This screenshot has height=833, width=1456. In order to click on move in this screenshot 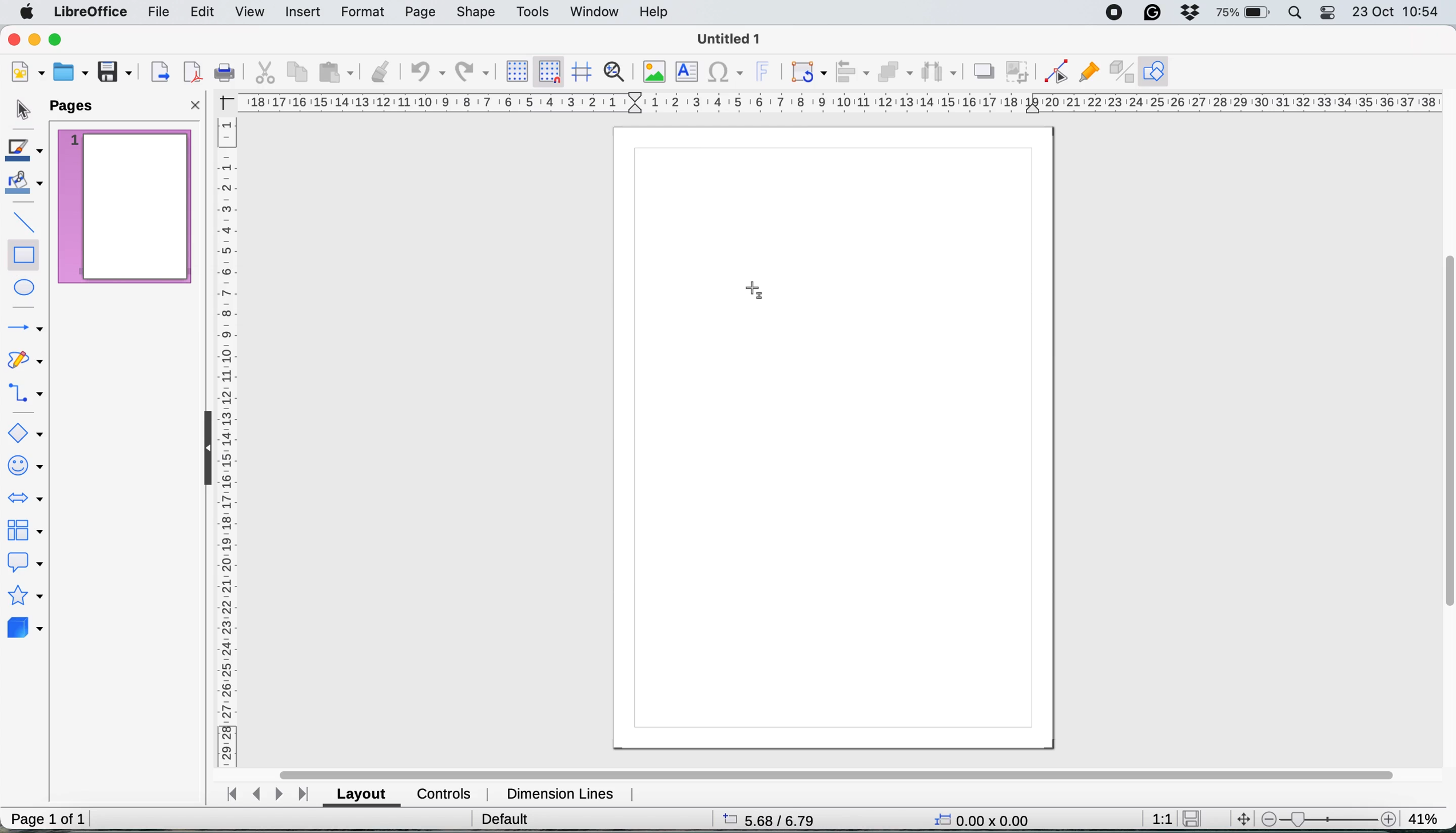, I will do `click(1244, 819)`.